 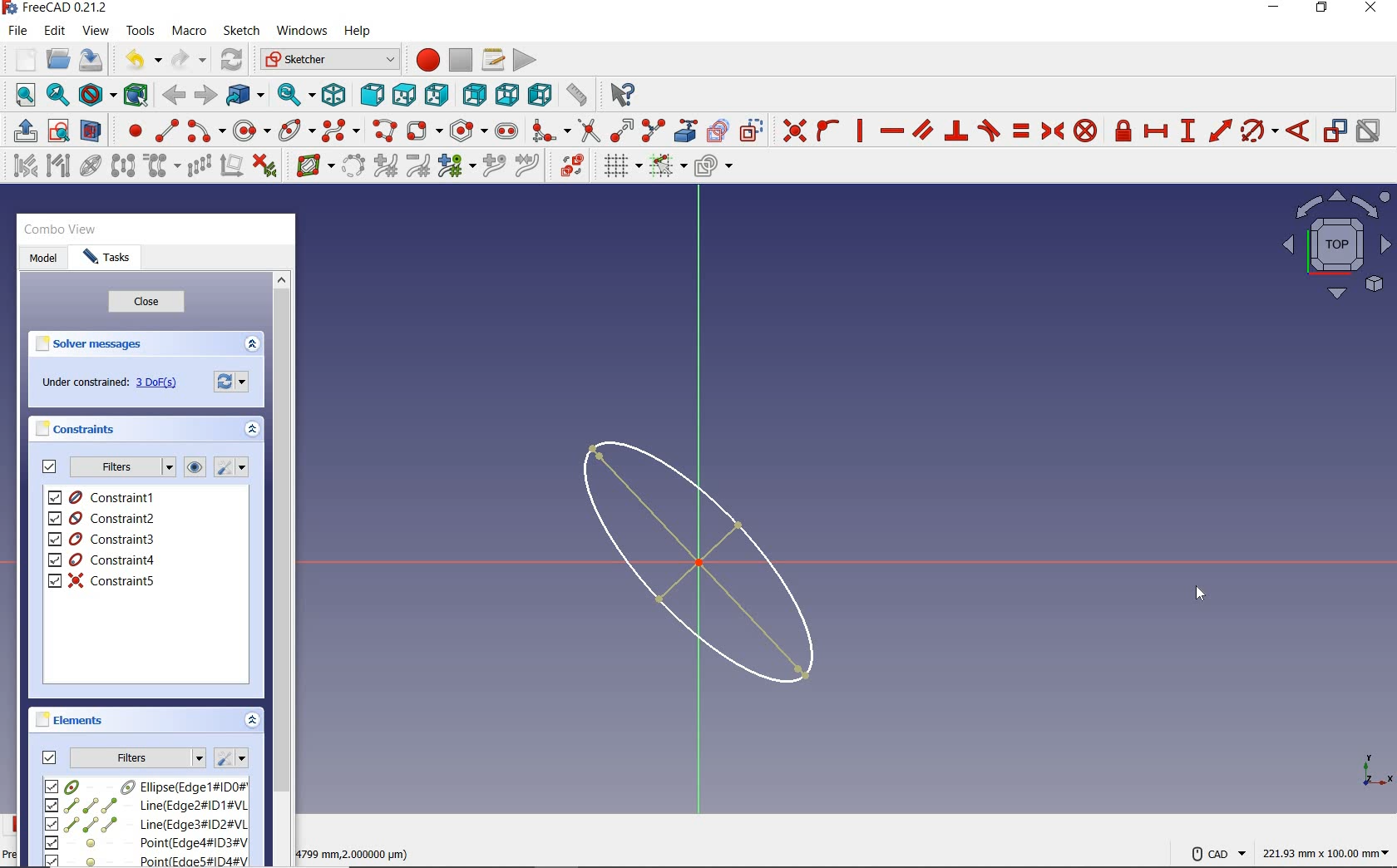 What do you see at coordinates (921, 129) in the screenshot?
I see `constrain parallel` at bounding box center [921, 129].